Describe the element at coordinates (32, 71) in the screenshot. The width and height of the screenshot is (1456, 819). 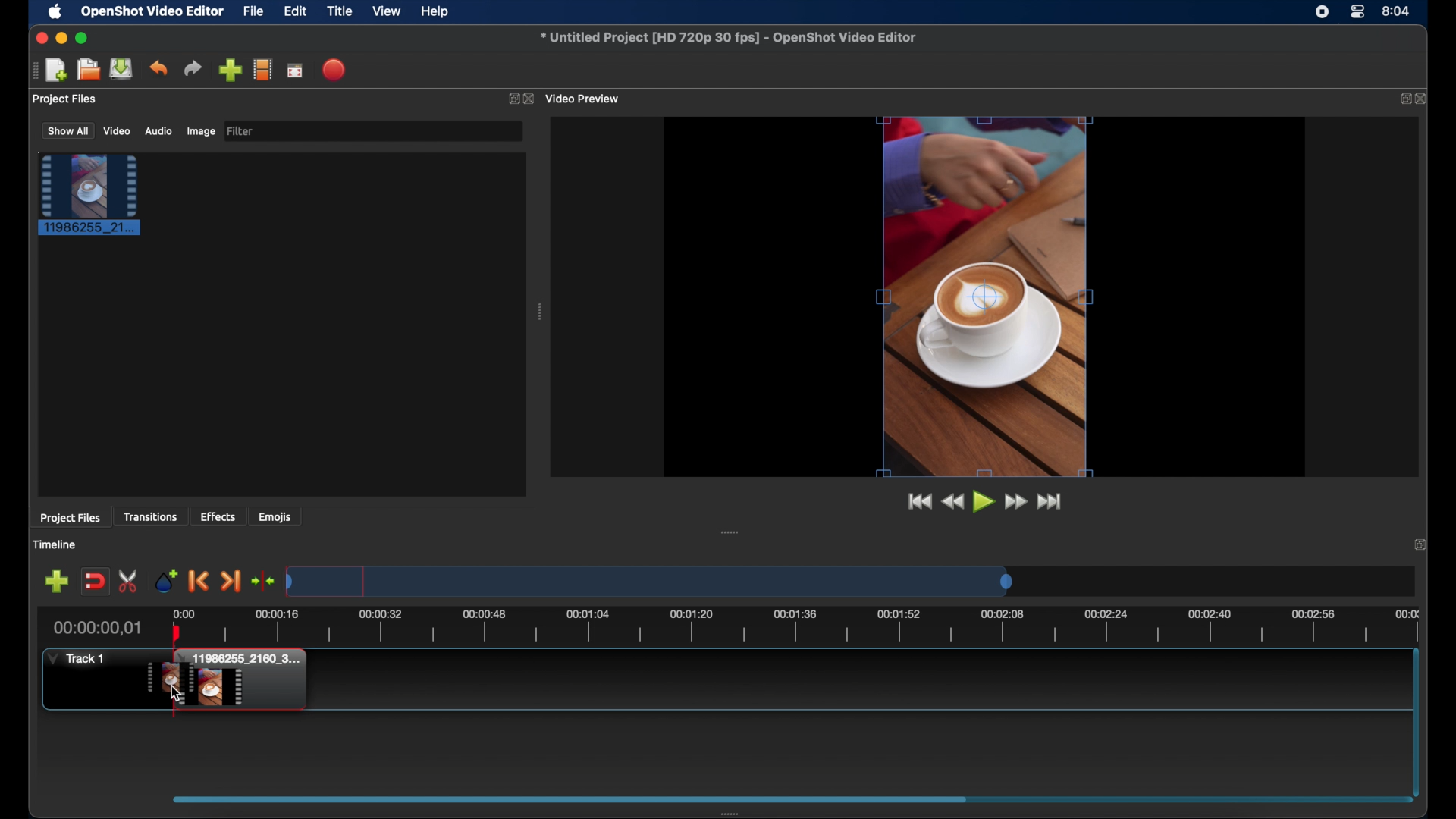
I see `drag handle` at that location.